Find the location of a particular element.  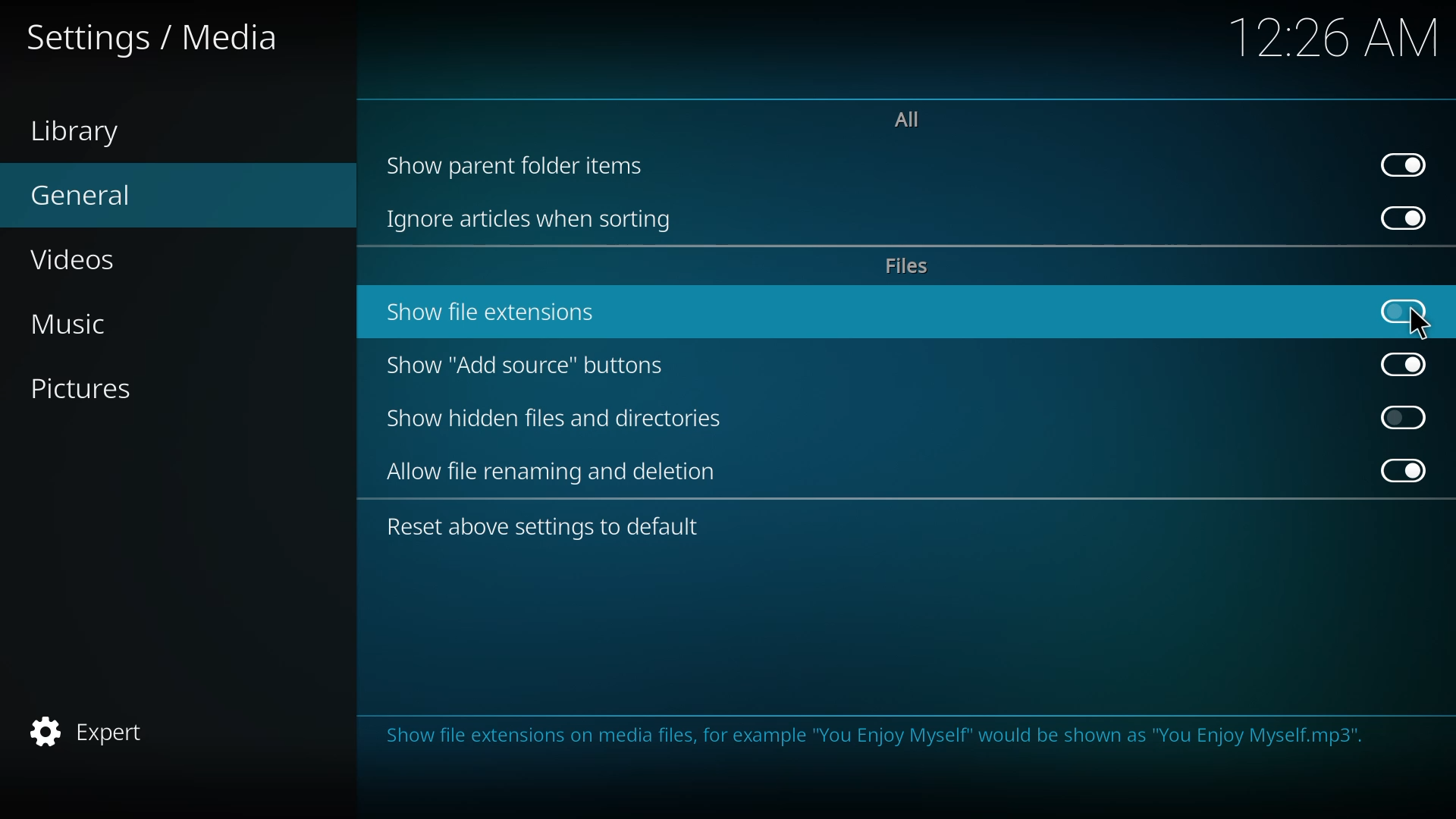

reset above settings to default is located at coordinates (546, 529).